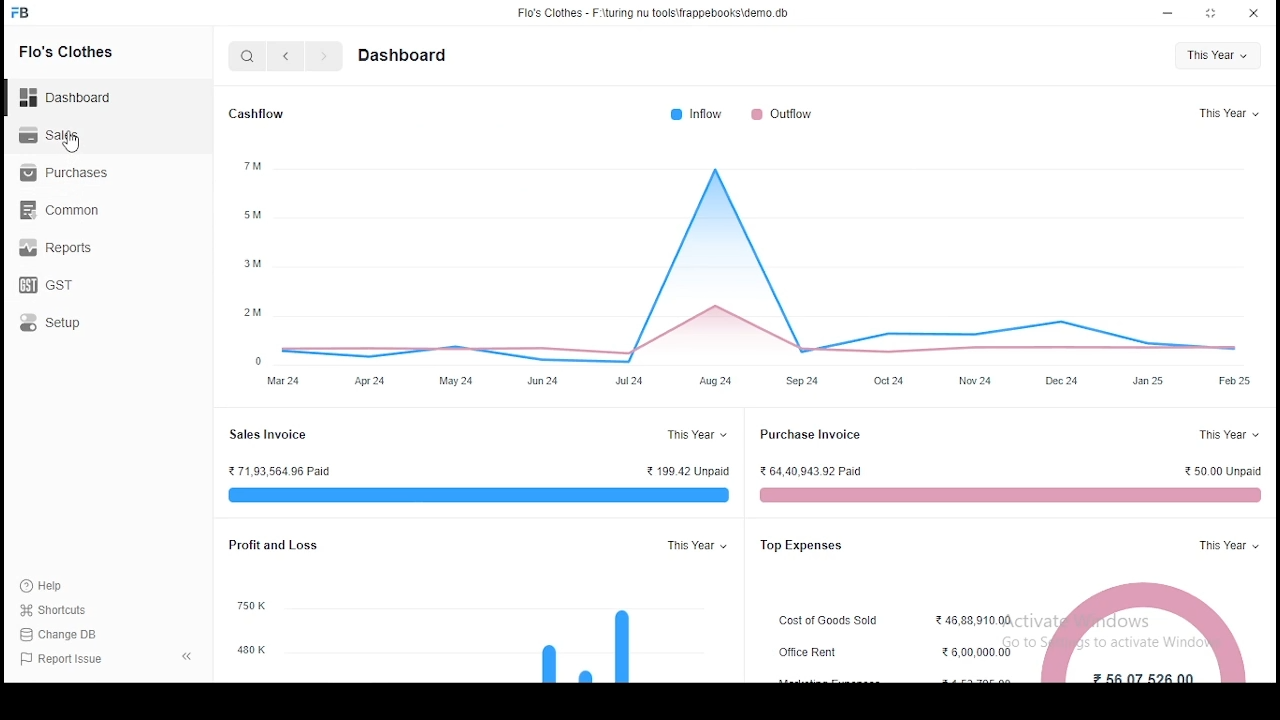 The image size is (1280, 720). I want to click on oct 24, so click(889, 381).